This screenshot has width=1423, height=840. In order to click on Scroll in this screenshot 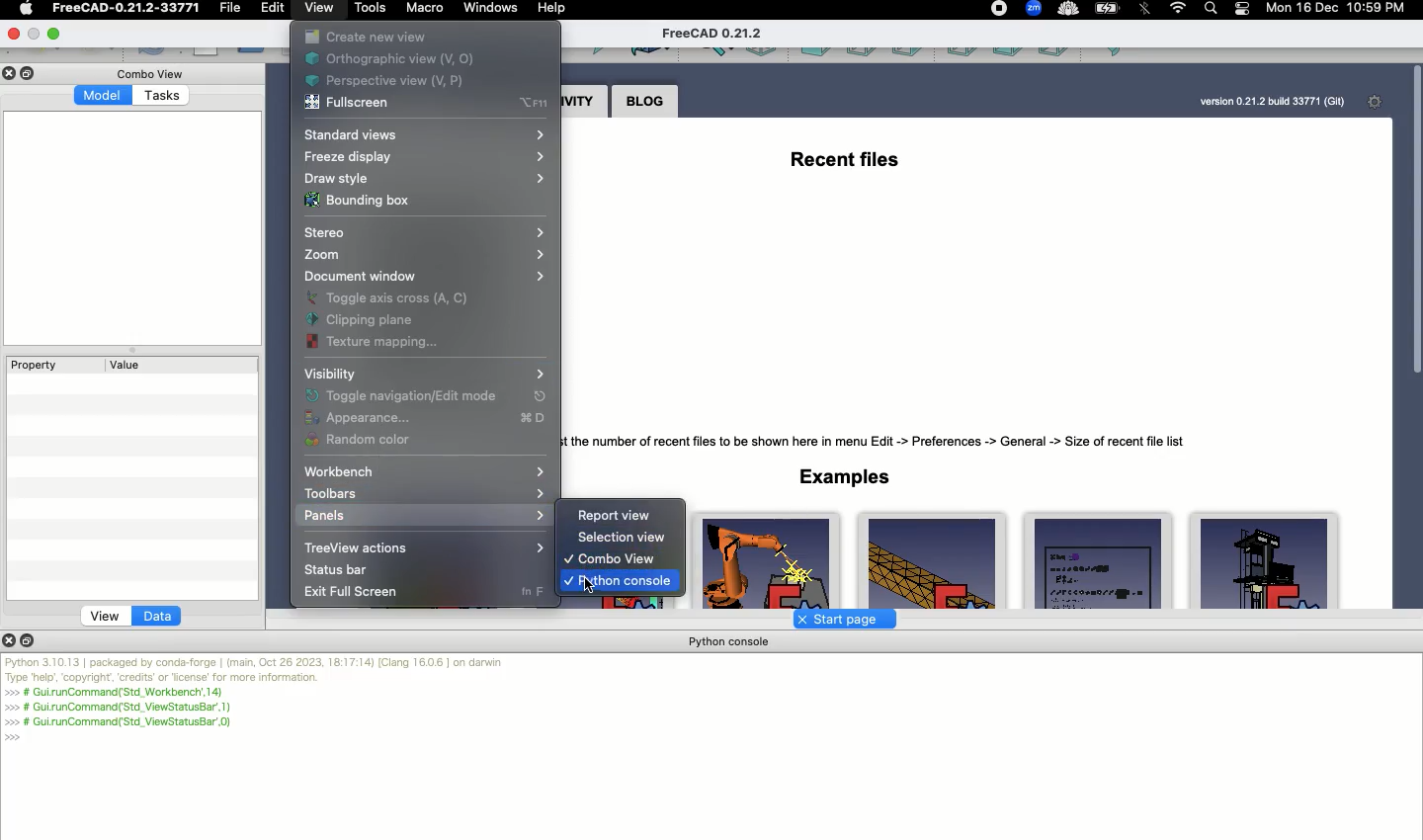, I will do `click(1414, 333)`.